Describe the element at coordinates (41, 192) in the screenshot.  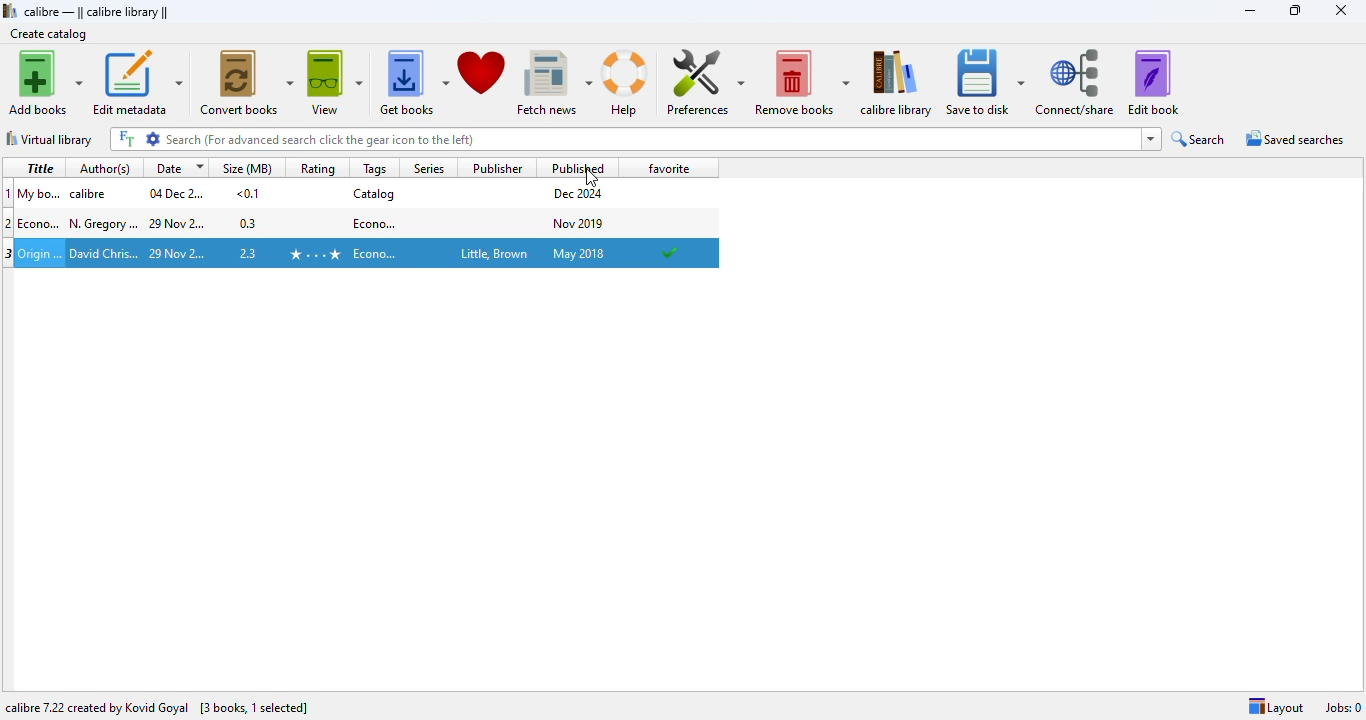
I see `title` at that location.